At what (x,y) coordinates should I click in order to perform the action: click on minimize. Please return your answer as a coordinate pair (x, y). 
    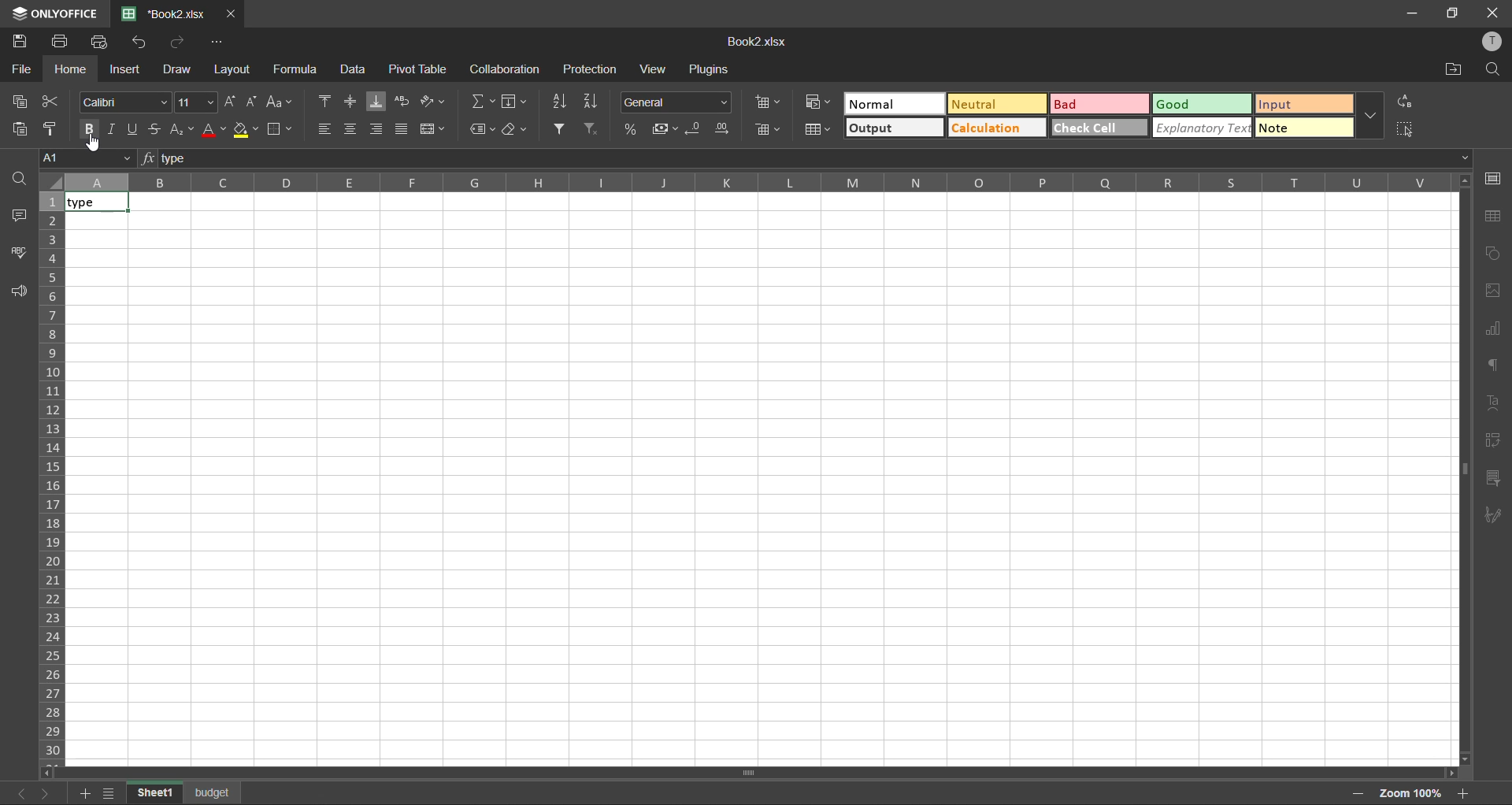
    Looking at the image, I should click on (1409, 13).